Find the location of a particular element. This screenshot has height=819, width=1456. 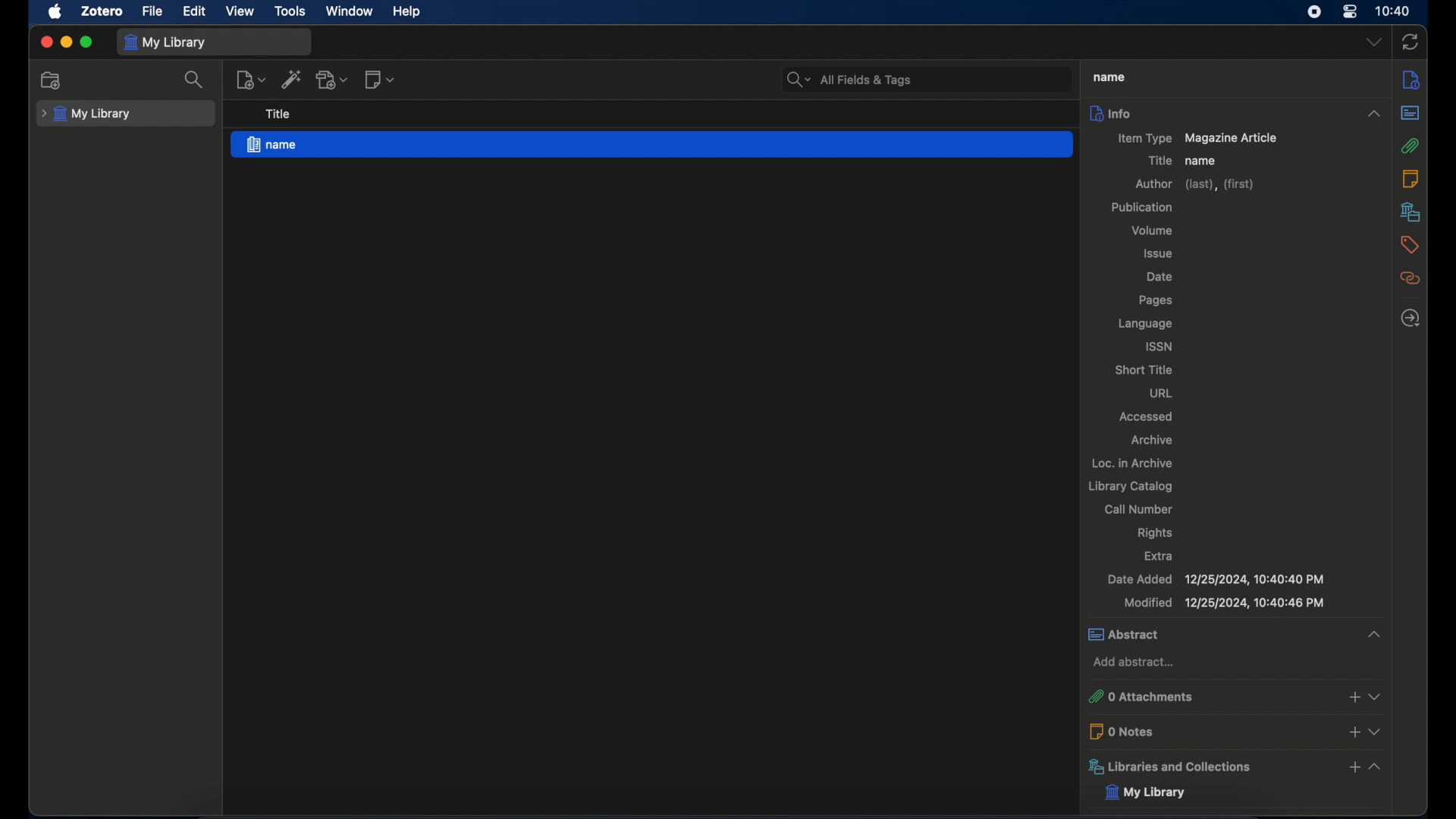

notes is located at coordinates (1411, 178).